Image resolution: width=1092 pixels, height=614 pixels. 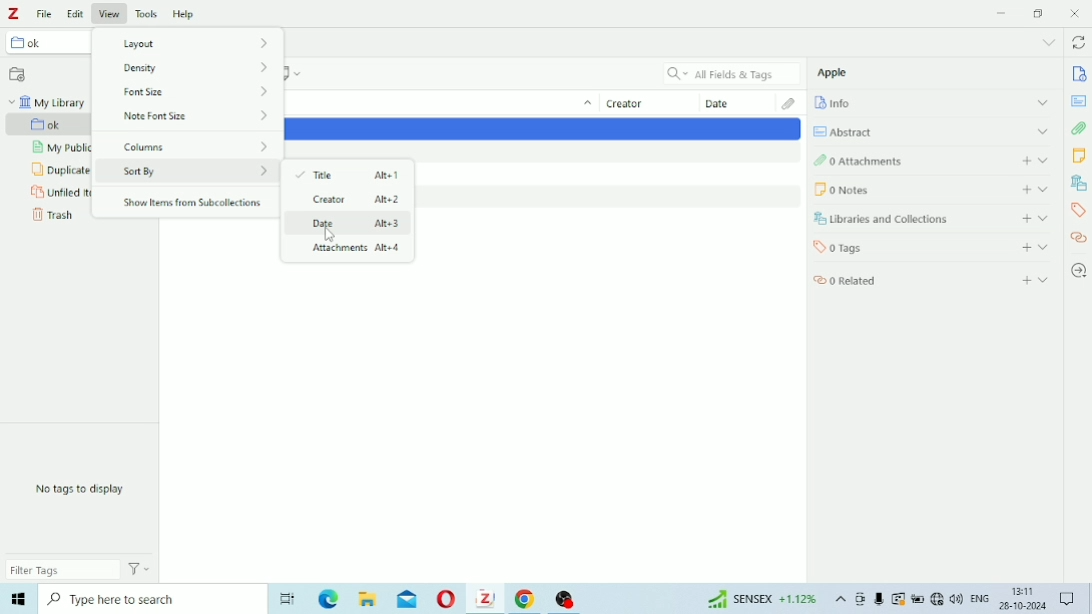 I want to click on Creator, so click(x=635, y=104).